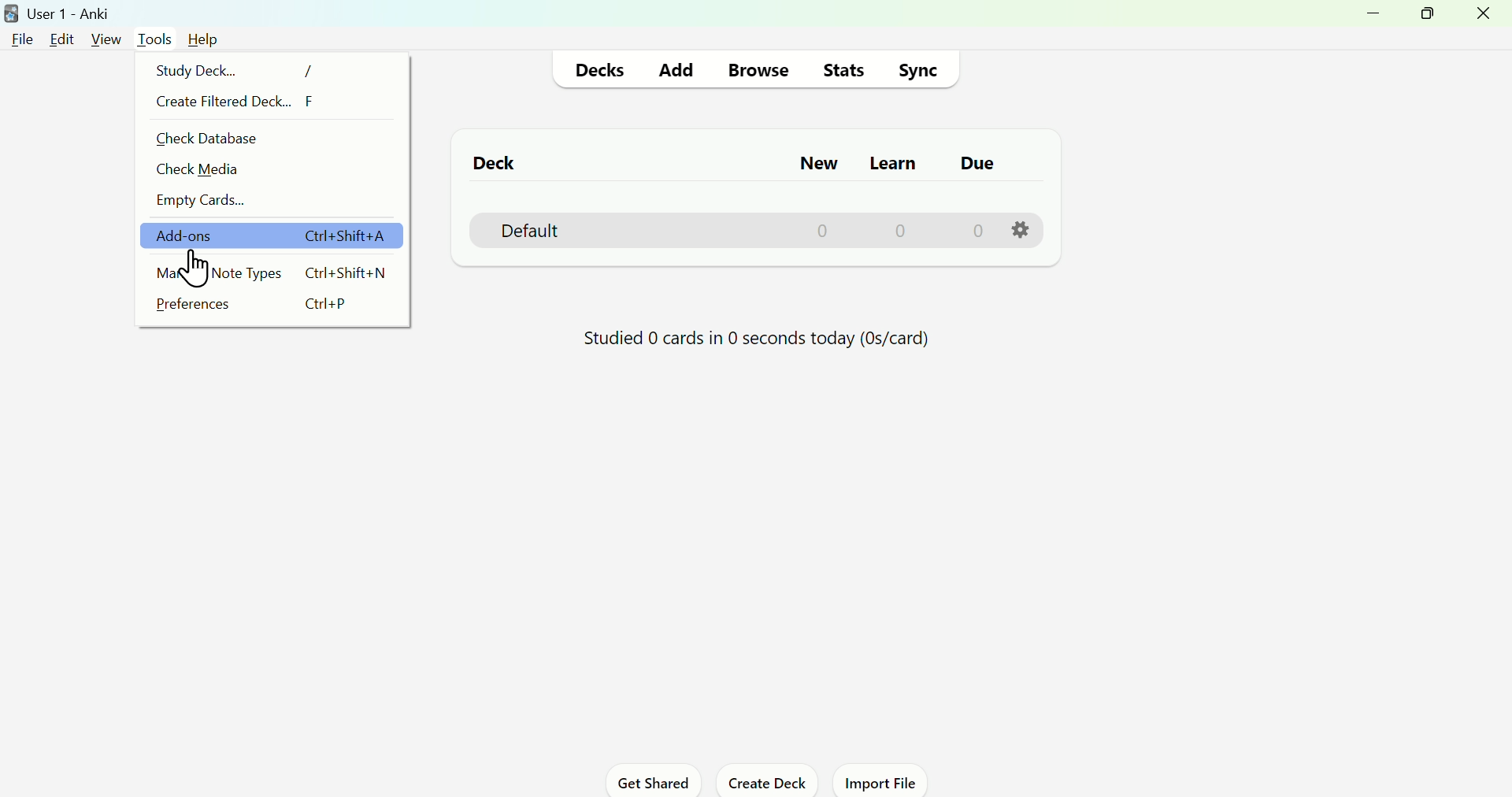 This screenshot has width=1512, height=797. Describe the element at coordinates (1486, 19) in the screenshot. I see `Close` at that location.